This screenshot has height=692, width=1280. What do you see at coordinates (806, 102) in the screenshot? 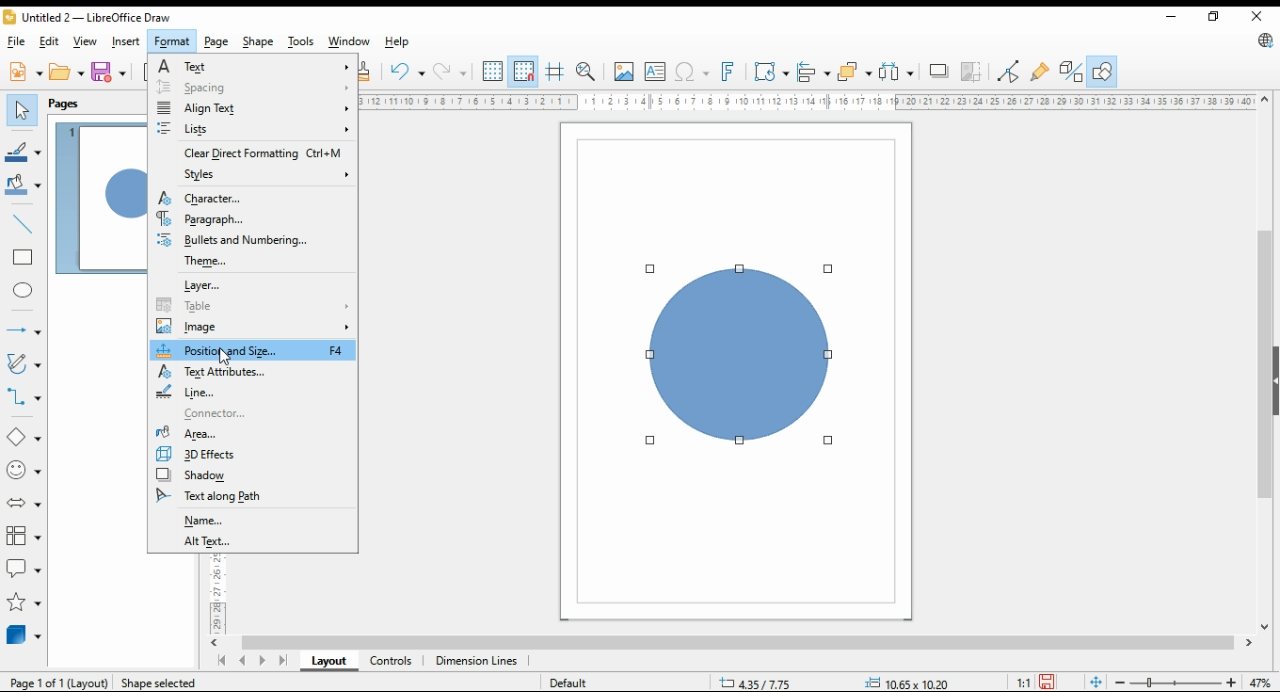
I see `Ruler` at bounding box center [806, 102].